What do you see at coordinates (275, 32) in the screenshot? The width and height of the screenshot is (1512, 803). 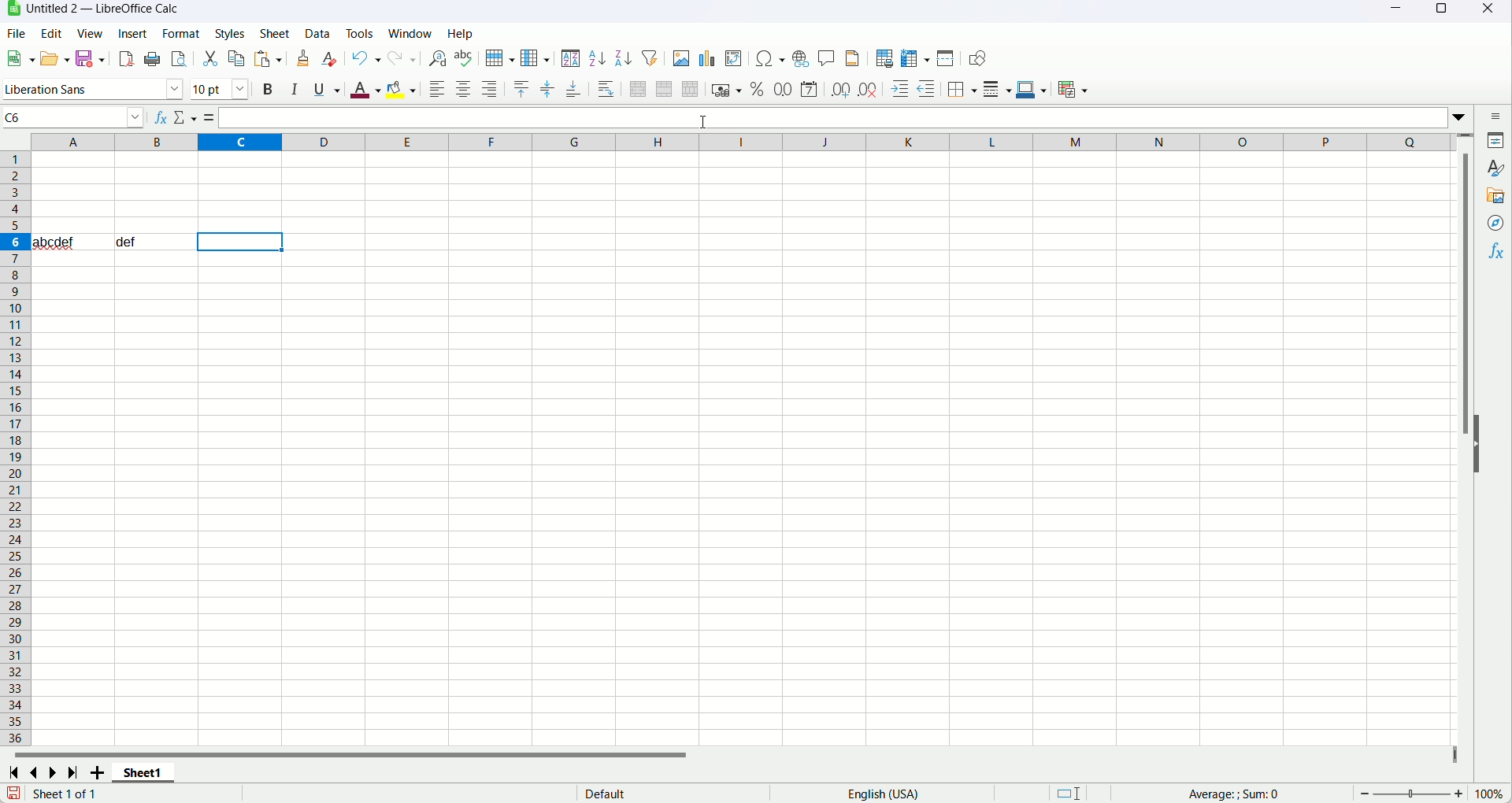 I see `sheet` at bounding box center [275, 32].